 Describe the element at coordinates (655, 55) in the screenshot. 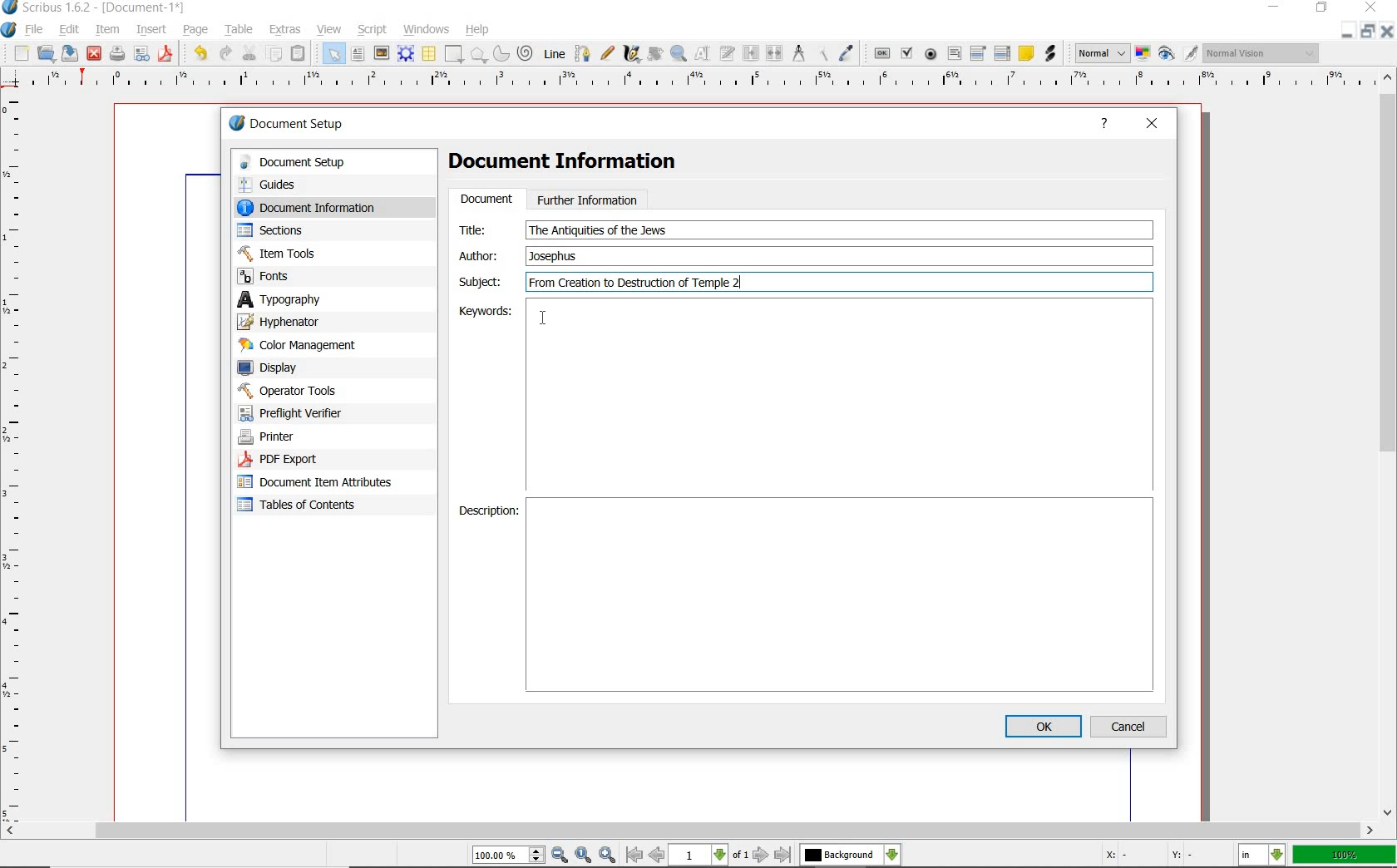

I see `rotate item` at that location.